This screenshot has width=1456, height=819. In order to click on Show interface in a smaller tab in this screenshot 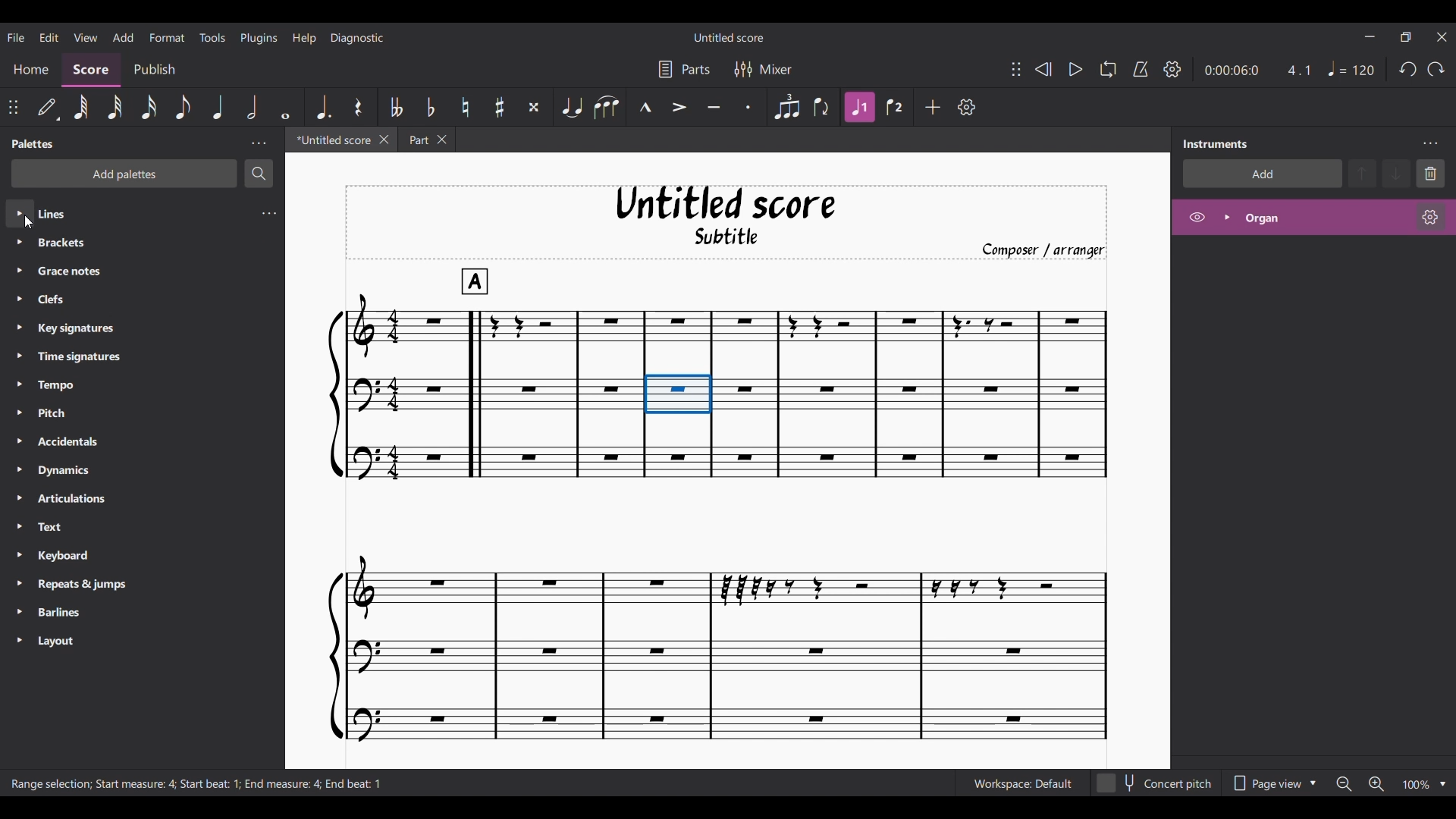, I will do `click(1405, 37)`.